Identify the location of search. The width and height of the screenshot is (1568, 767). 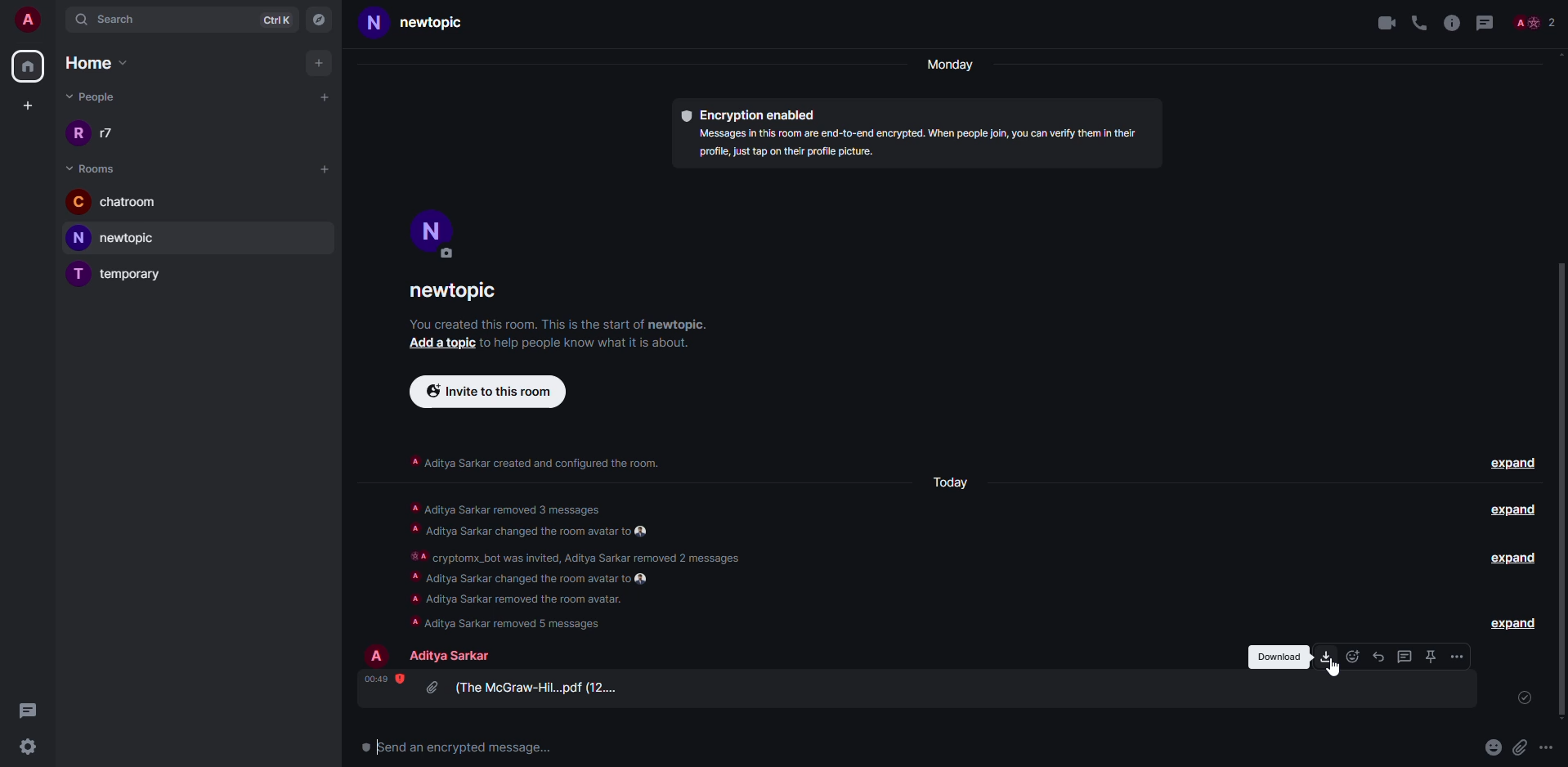
(119, 18).